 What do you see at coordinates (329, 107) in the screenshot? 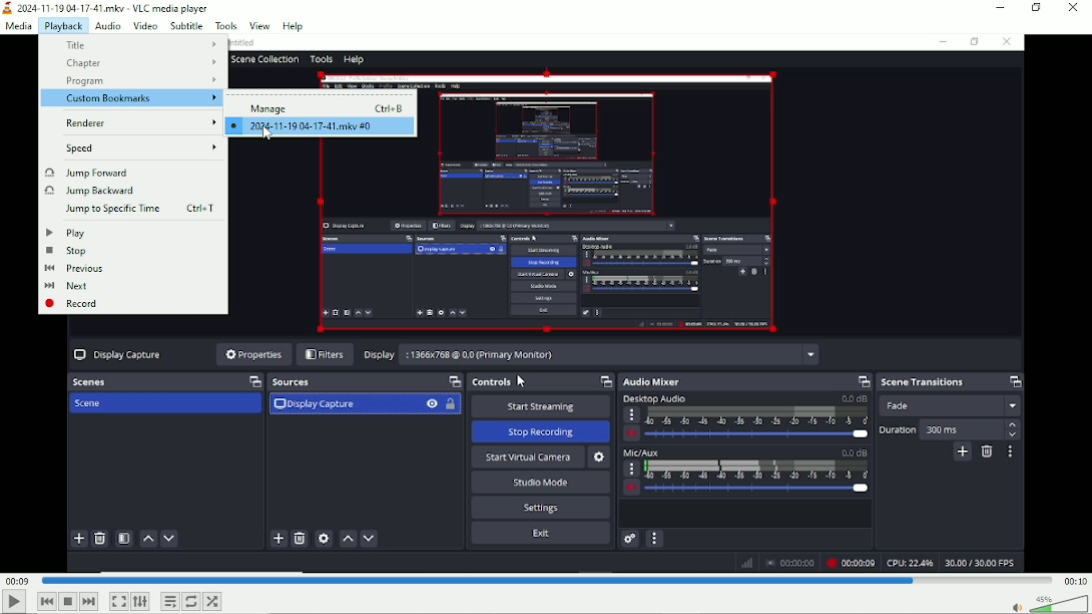
I see `Manage` at bounding box center [329, 107].